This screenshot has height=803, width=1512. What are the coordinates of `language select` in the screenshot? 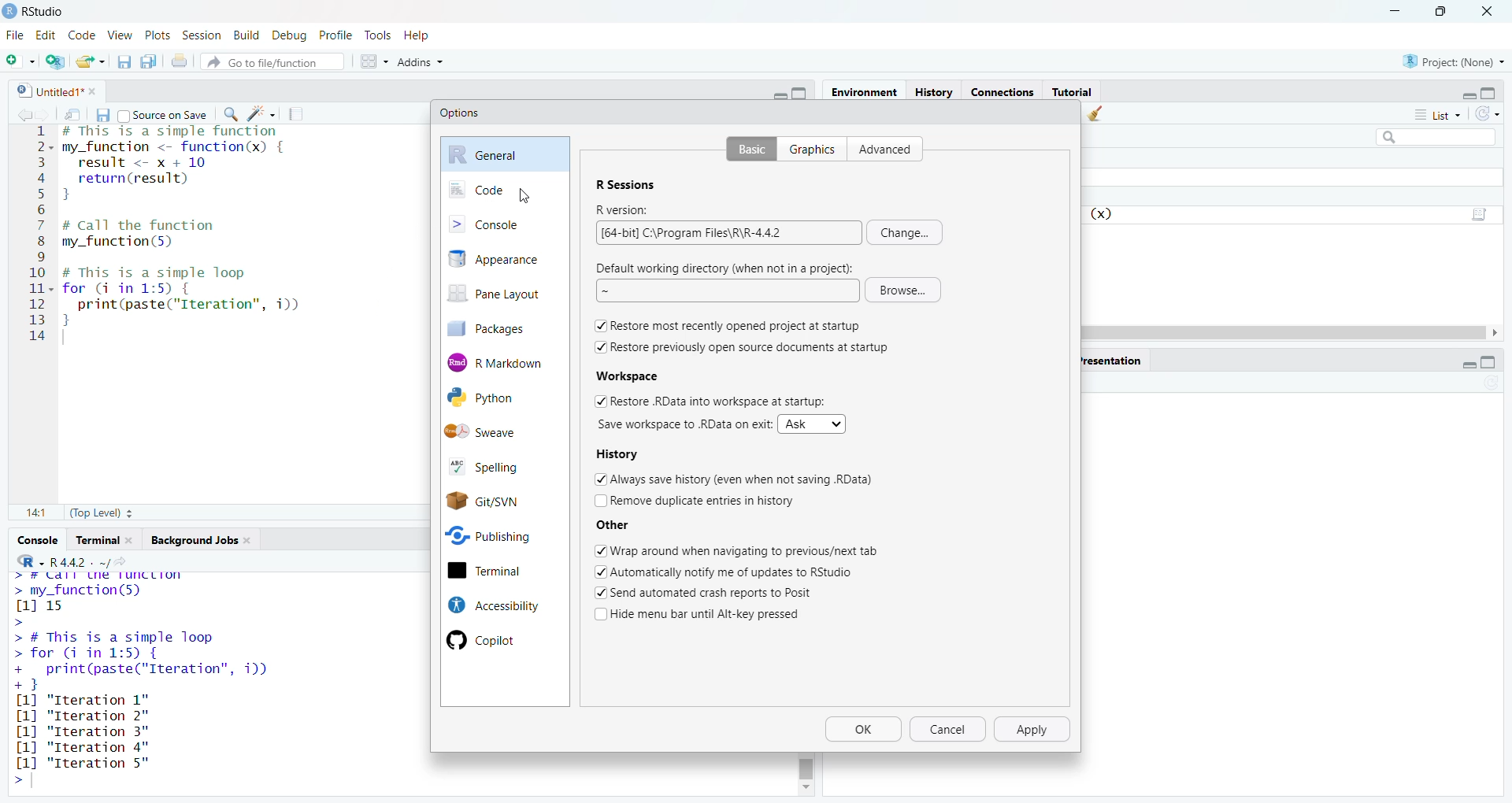 It's located at (23, 561).